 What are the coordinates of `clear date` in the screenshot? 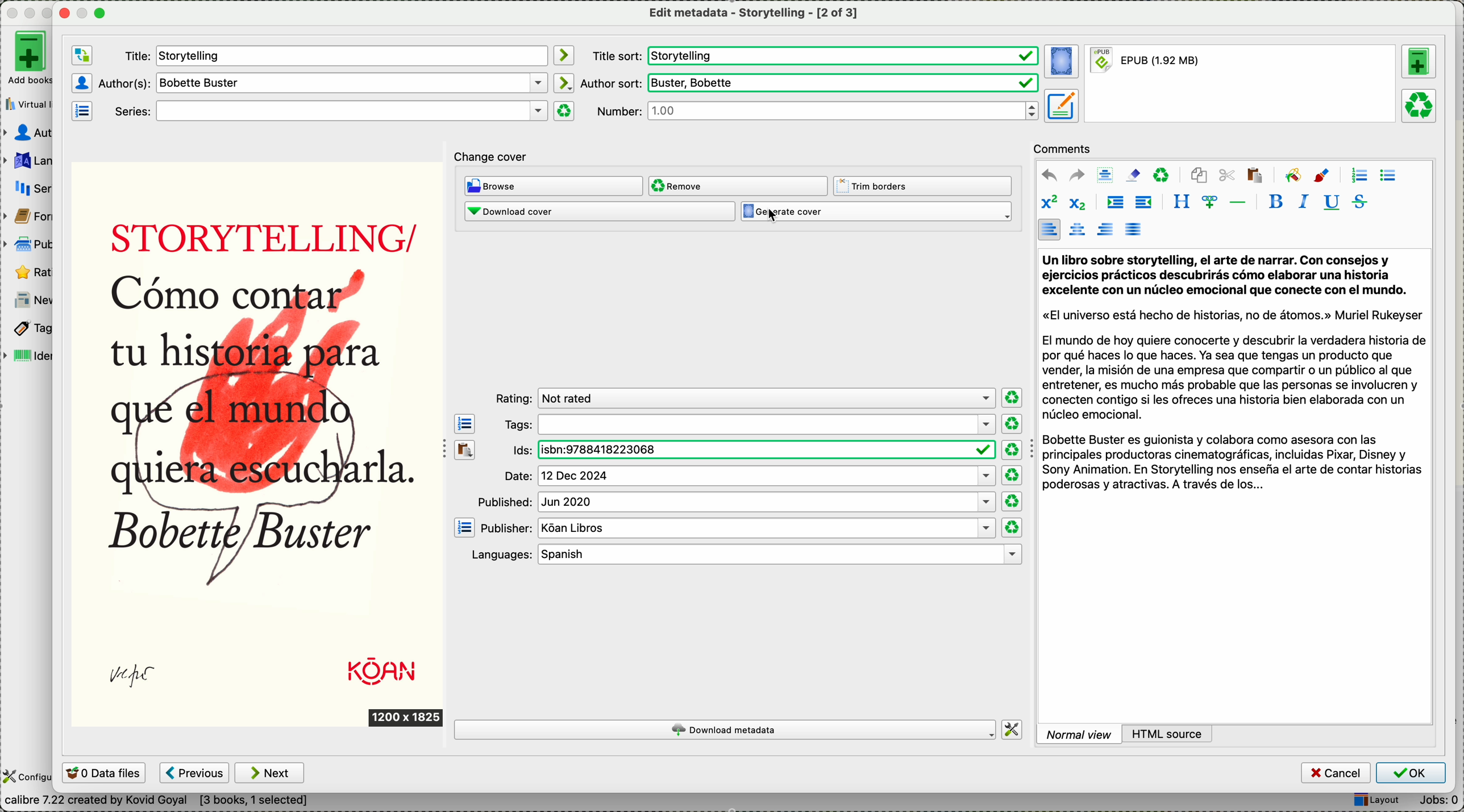 It's located at (1014, 475).